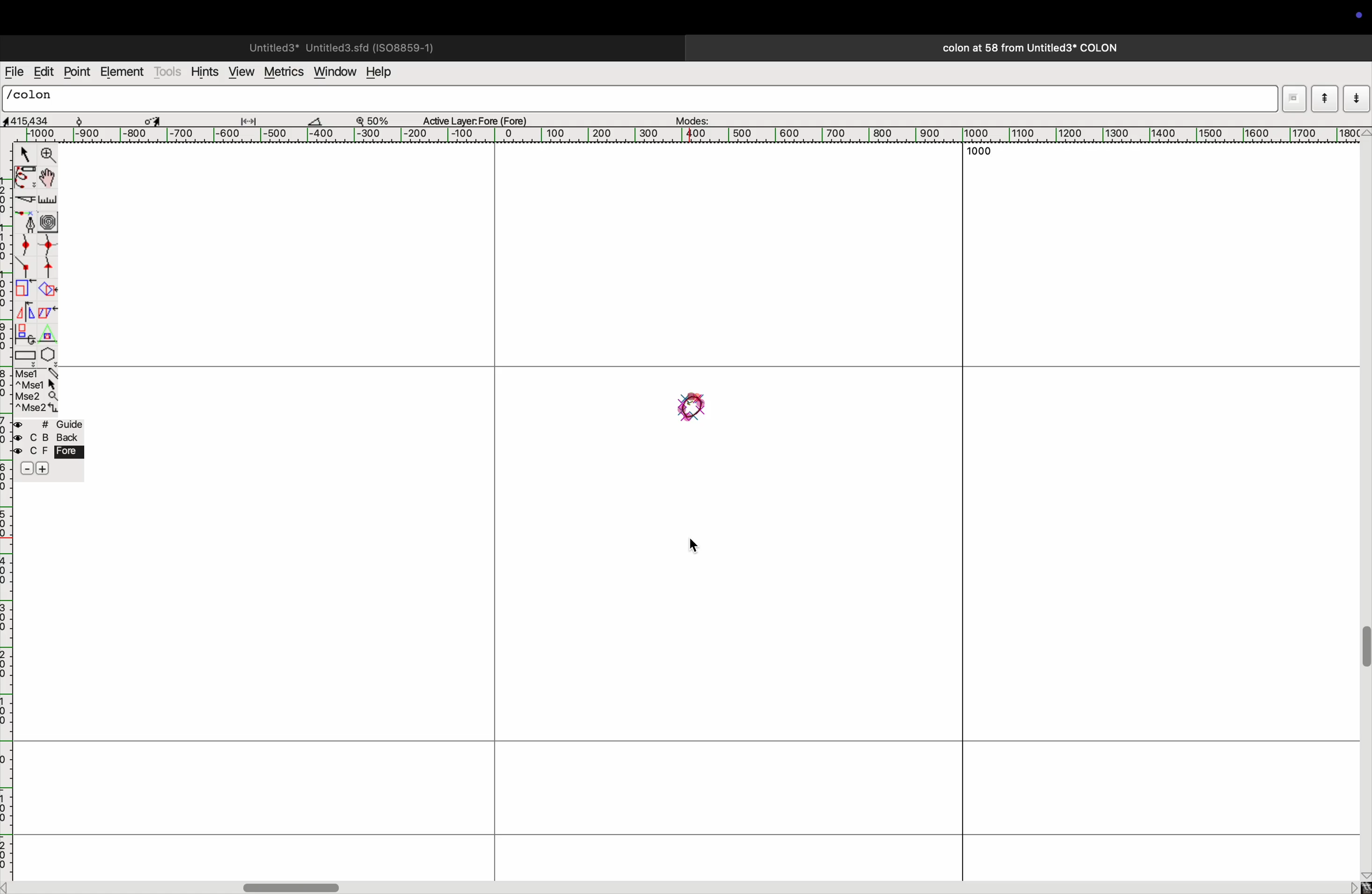 The image size is (1372, 894). Describe the element at coordinates (39, 256) in the screenshot. I see `spline` at that location.